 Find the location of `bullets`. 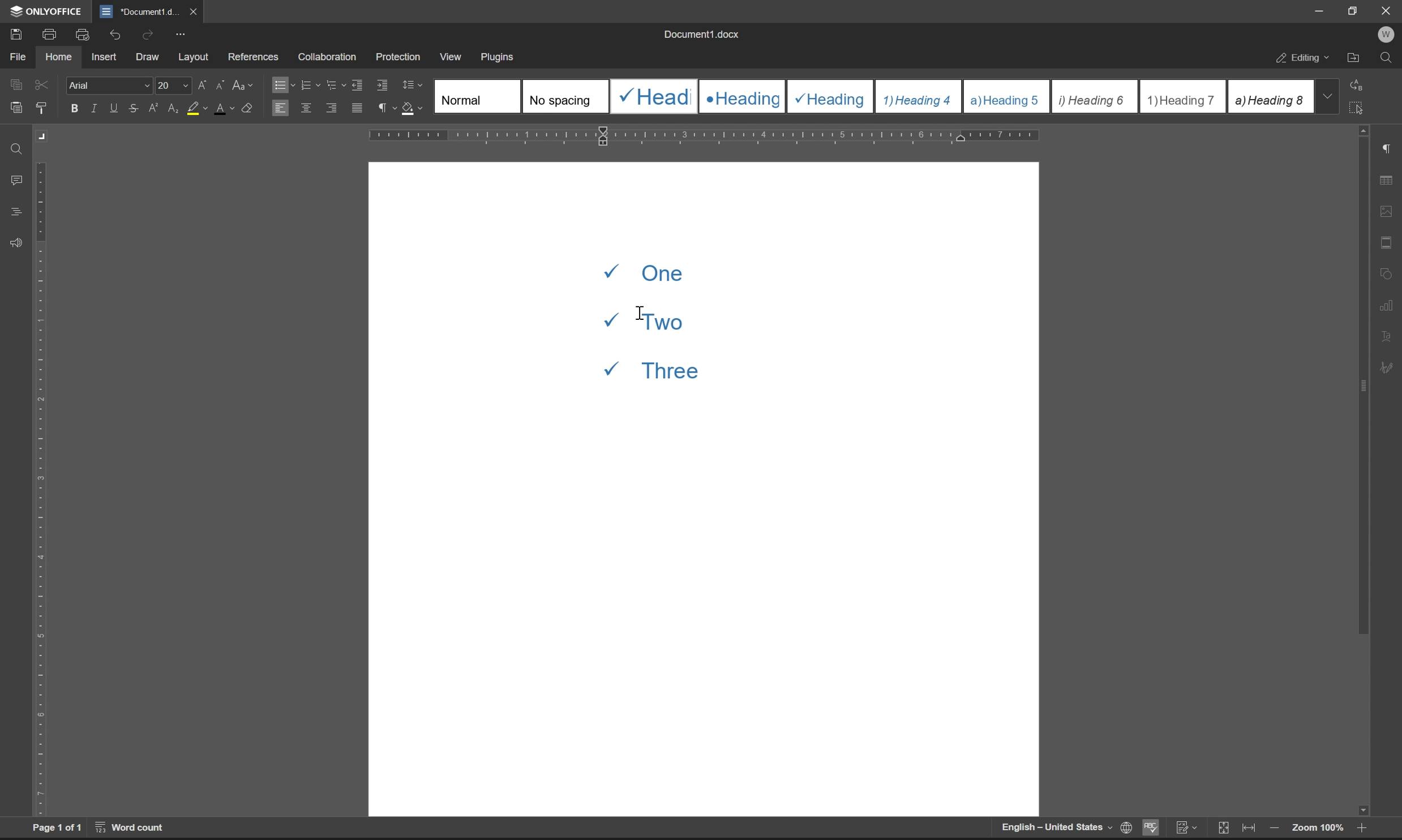

bullets is located at coordinates (282, 84).